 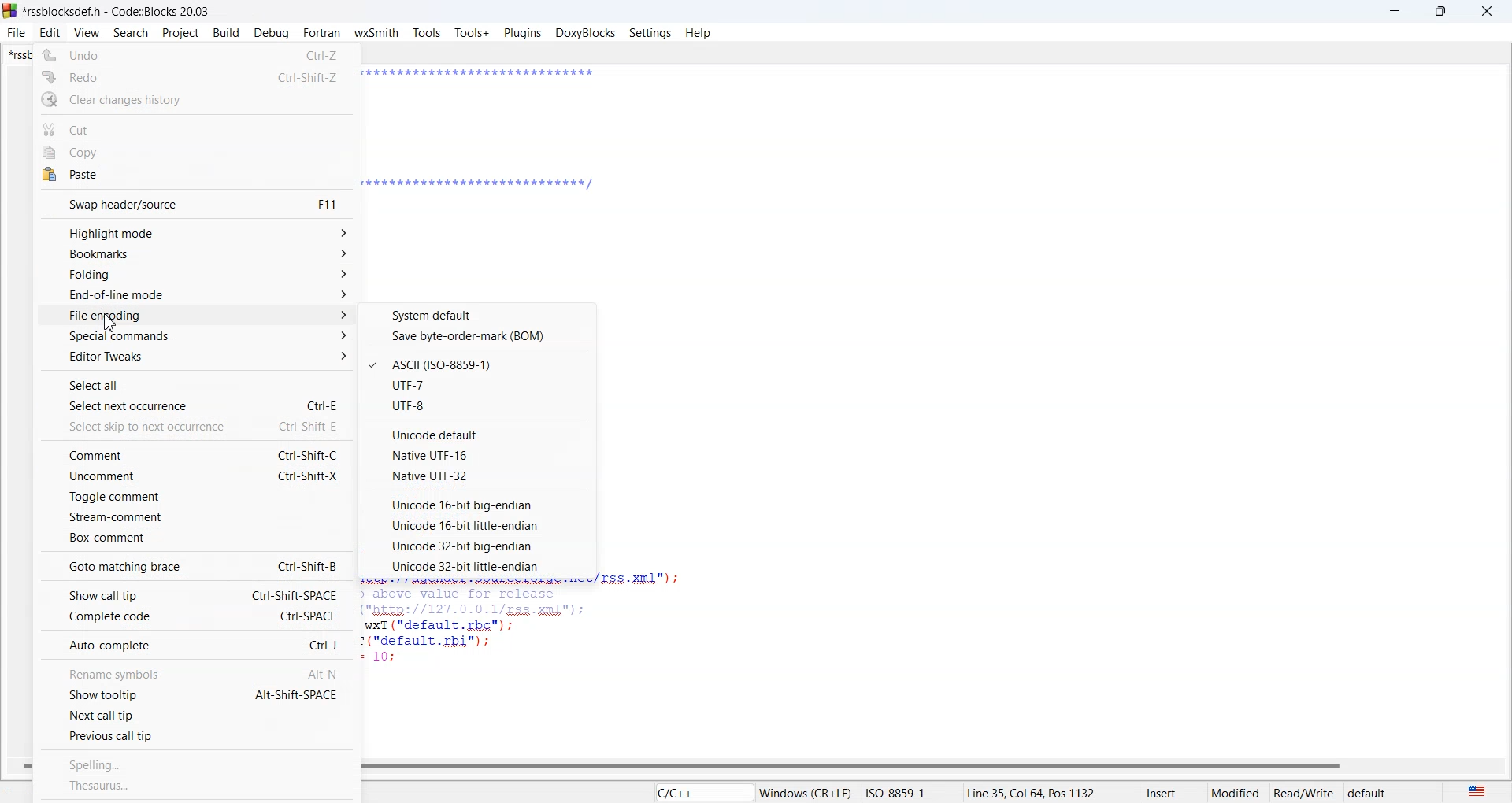 I want to click on Windows(CR+LF), so click(x=859, y=791).